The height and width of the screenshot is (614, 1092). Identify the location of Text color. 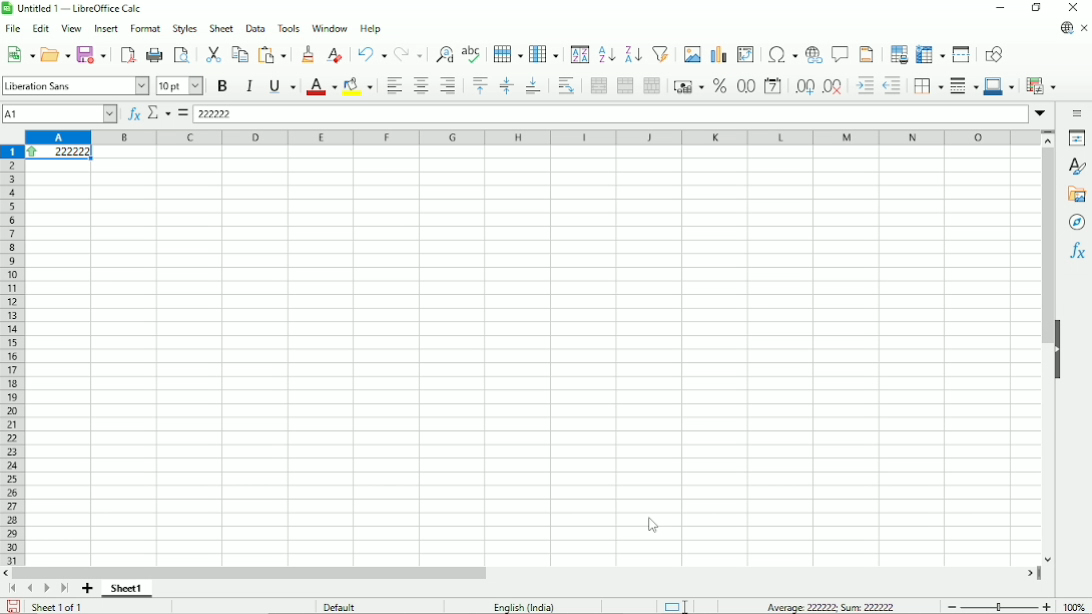
(321, 86).